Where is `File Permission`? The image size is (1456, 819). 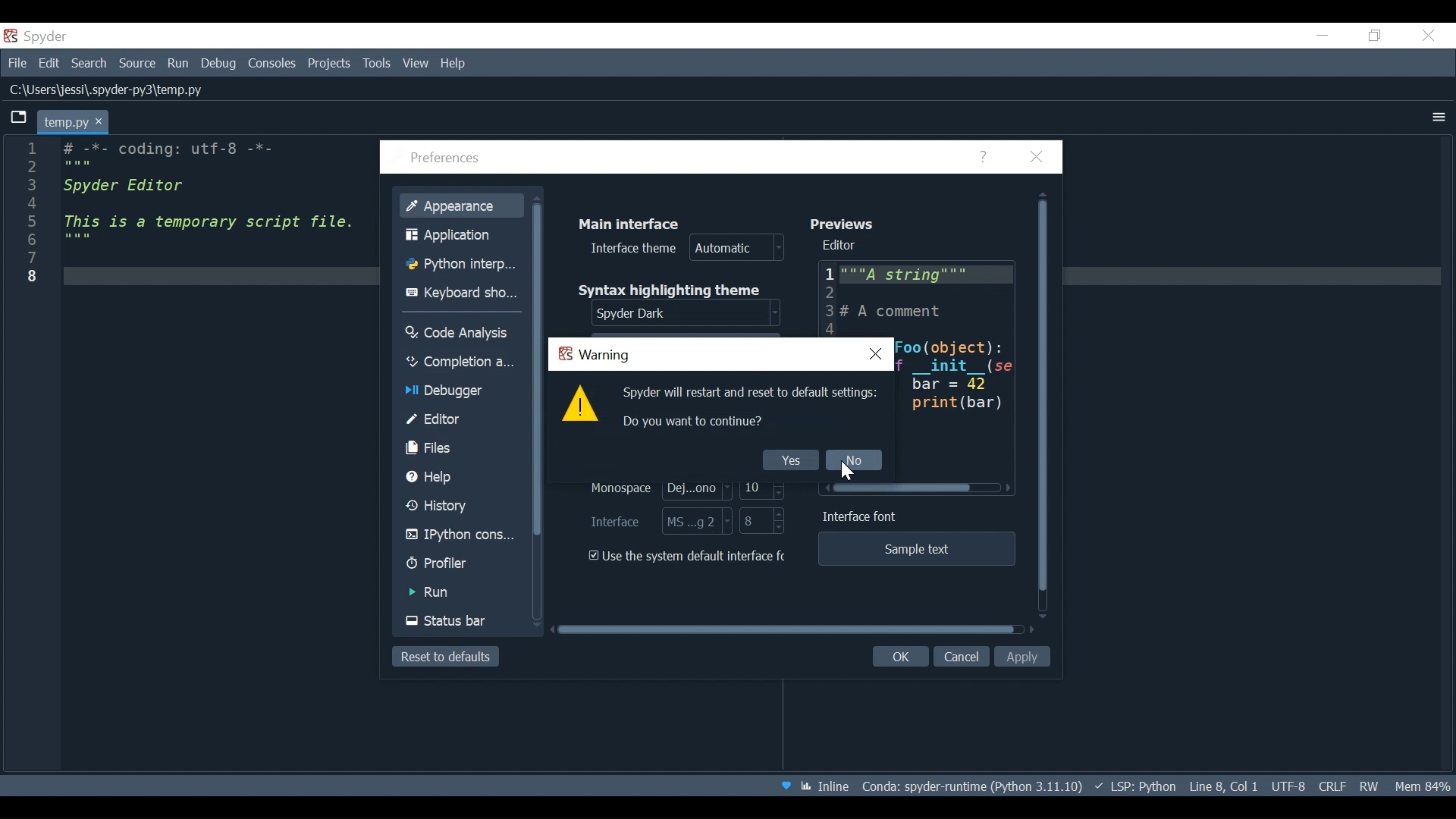
File Permission is located at coordinates (1369, 784).